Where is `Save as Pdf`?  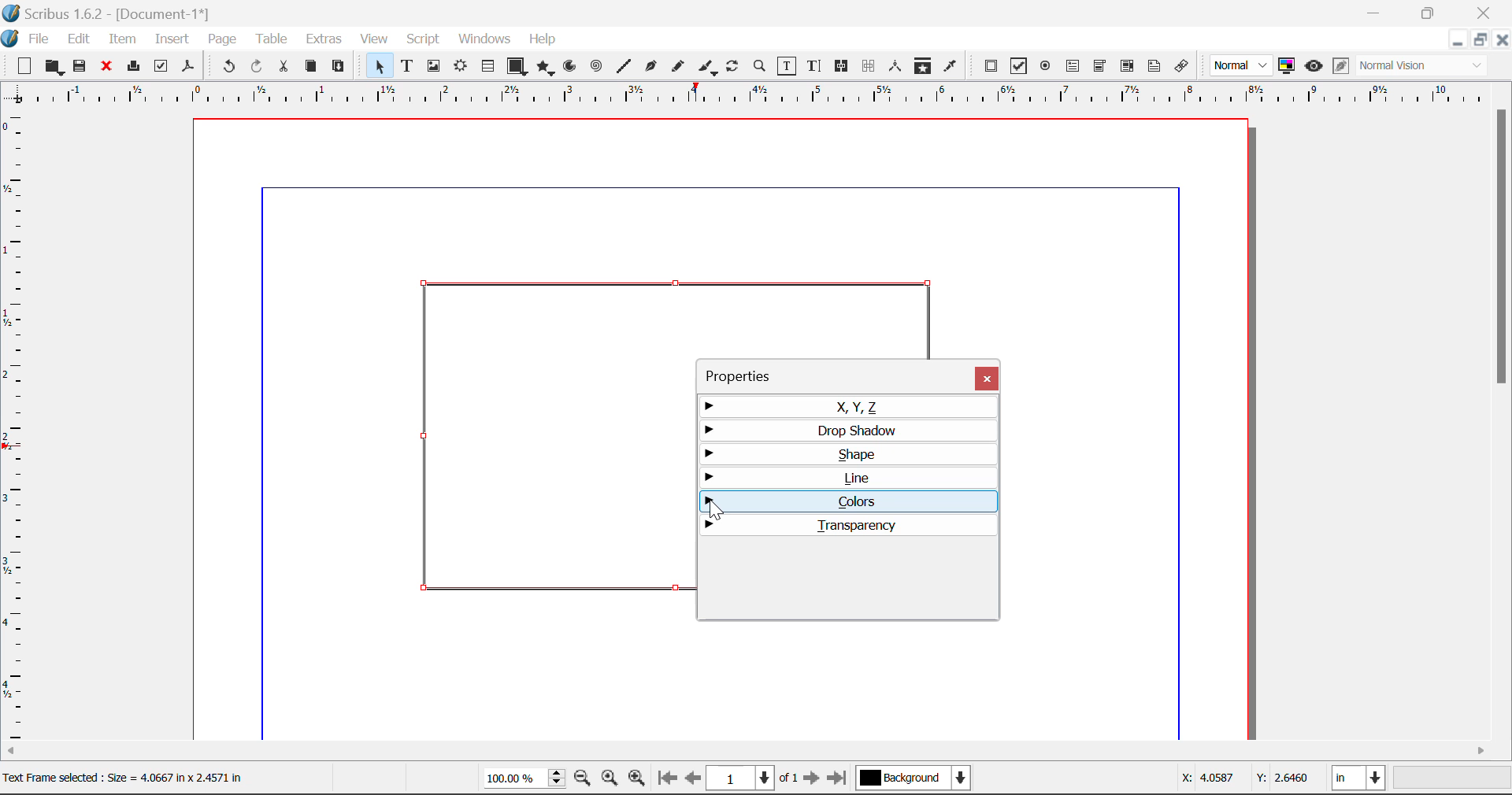 Save as Pdf is located at coordinates (188, 67).